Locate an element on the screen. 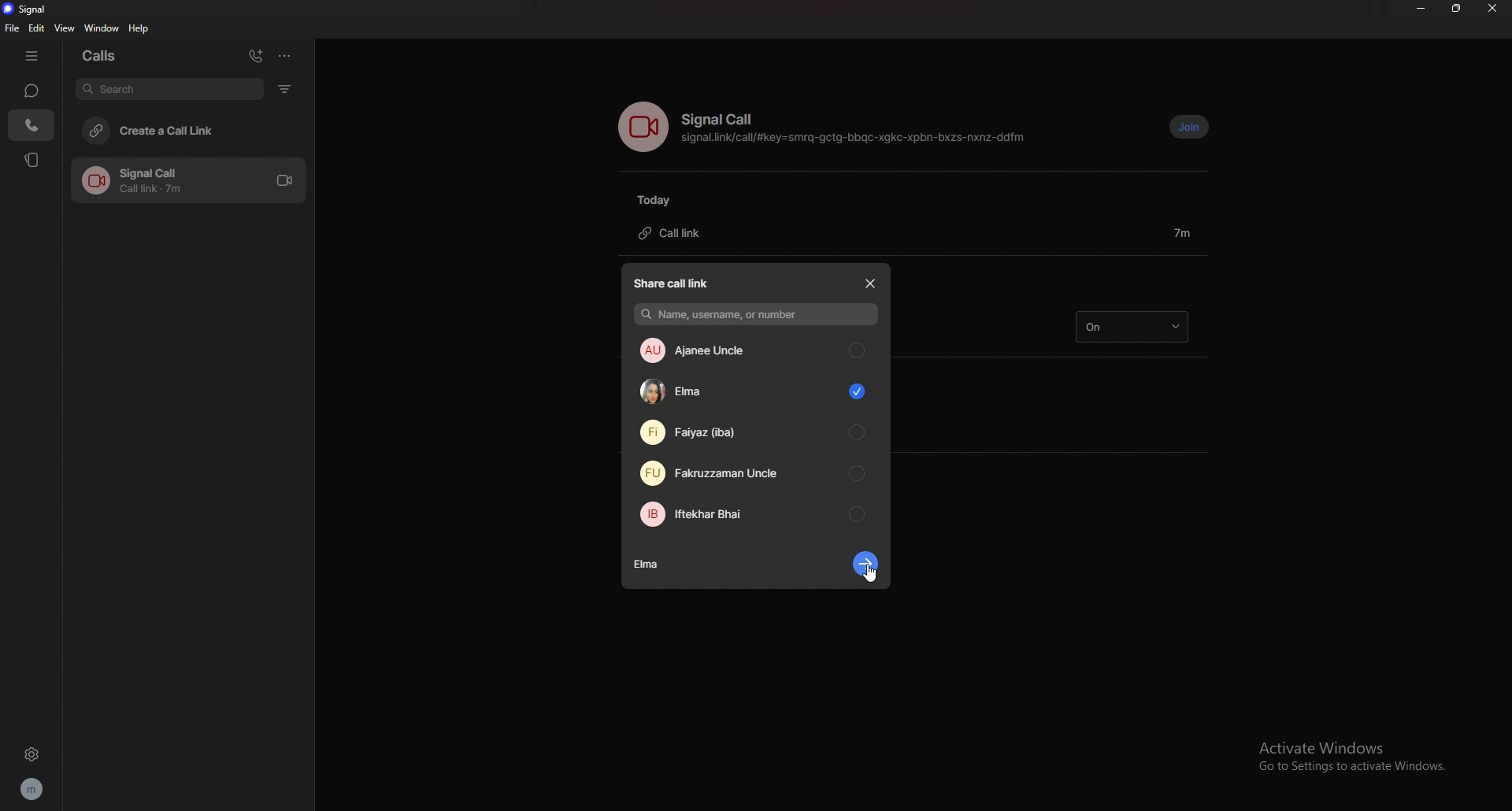 This screenshot has height=811, width=1512. options is located at coordinates (287, 55).